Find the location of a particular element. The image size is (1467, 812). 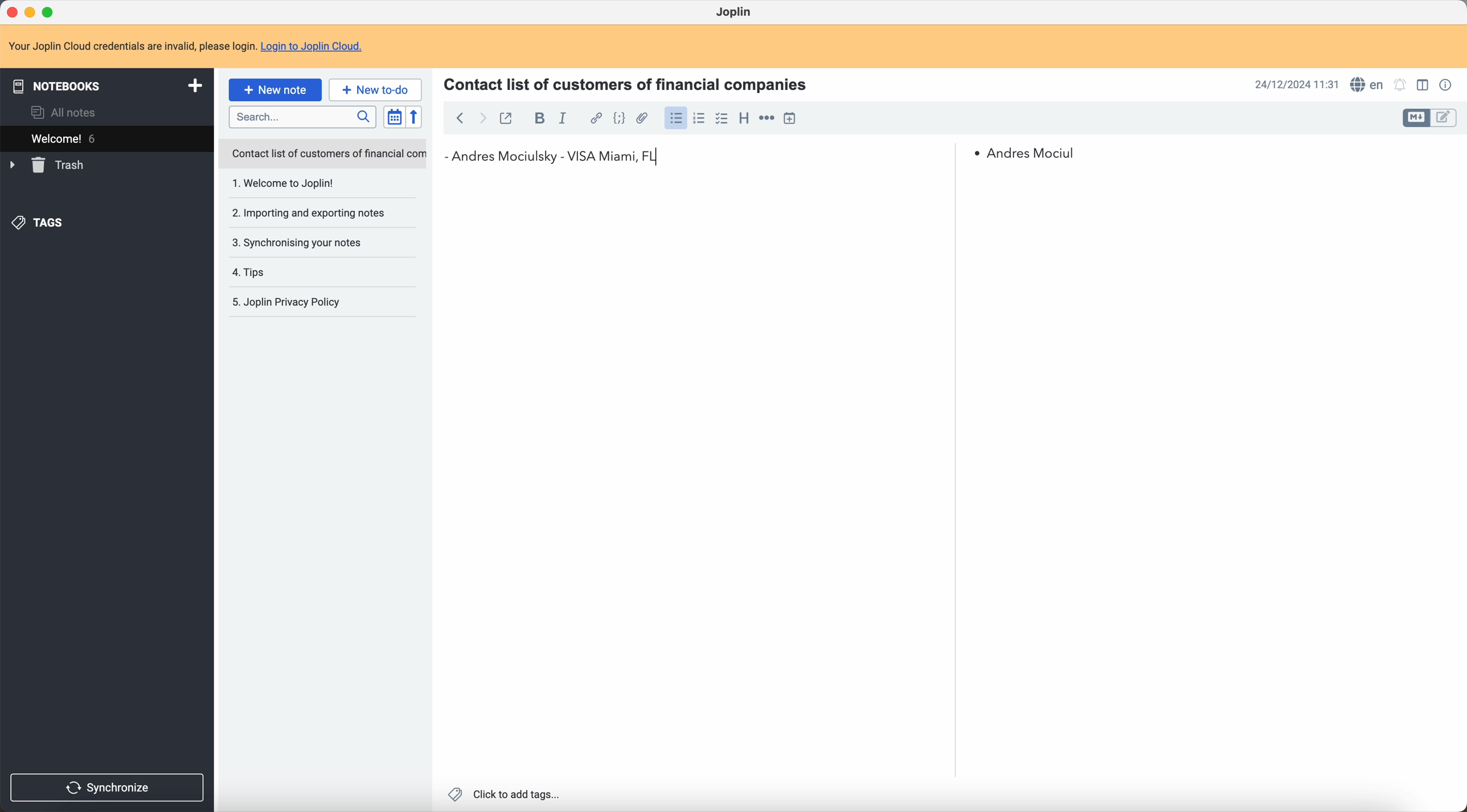

trash is located at coordinates (48, 165).